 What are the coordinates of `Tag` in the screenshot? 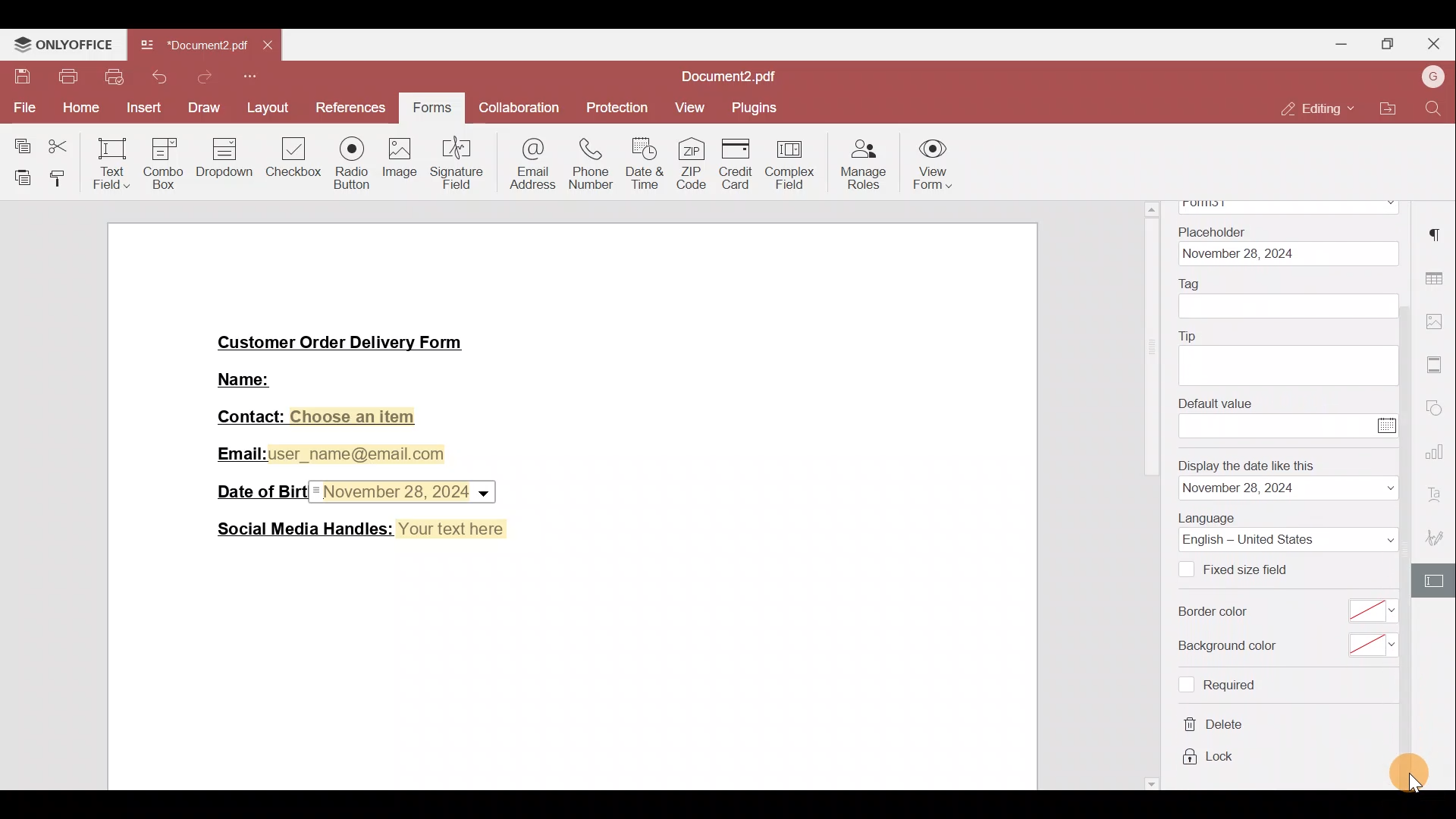 It's located at (1197, 284).